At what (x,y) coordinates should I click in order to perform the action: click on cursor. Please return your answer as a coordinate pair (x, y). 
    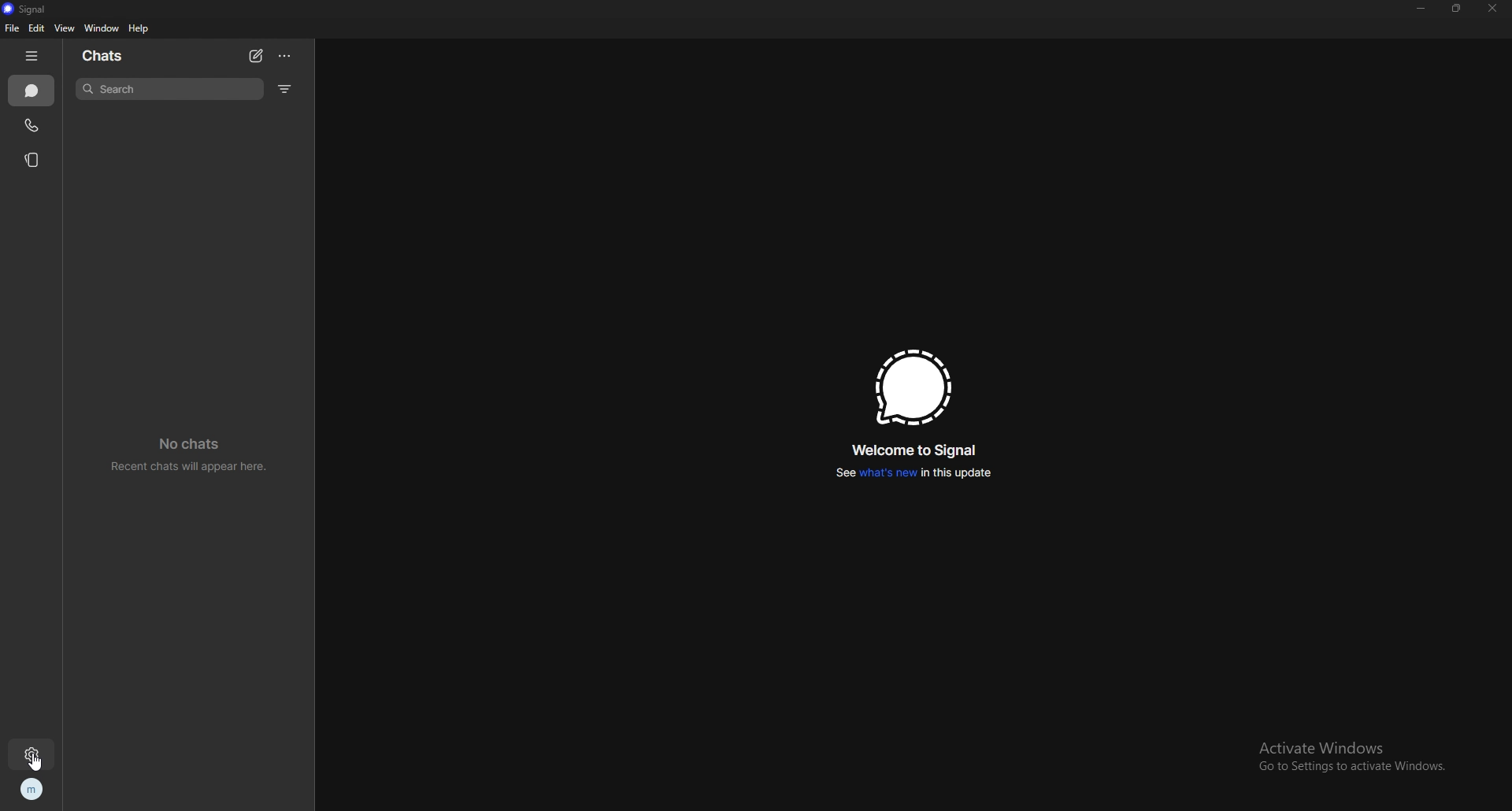
    Looking at the image, I should click on (39, 761).